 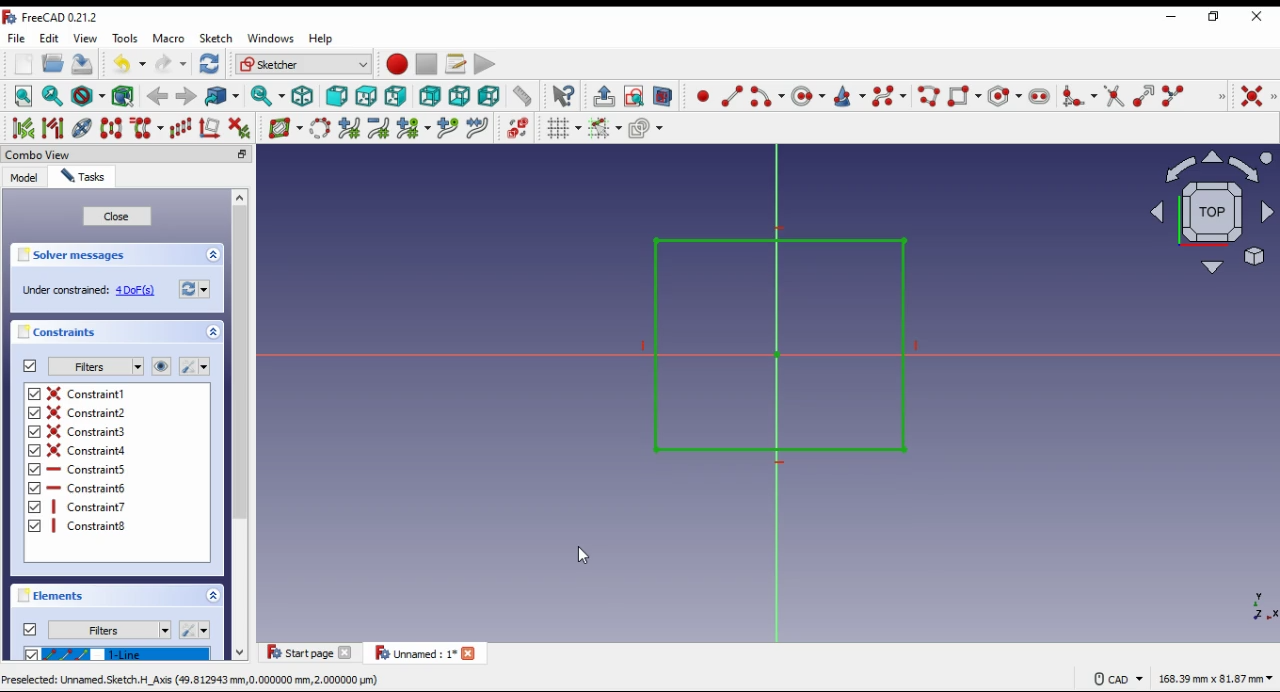 What do you see at coordinates (84, 63) in the screenshot?
I see `save` at bounding box center [84, 63].